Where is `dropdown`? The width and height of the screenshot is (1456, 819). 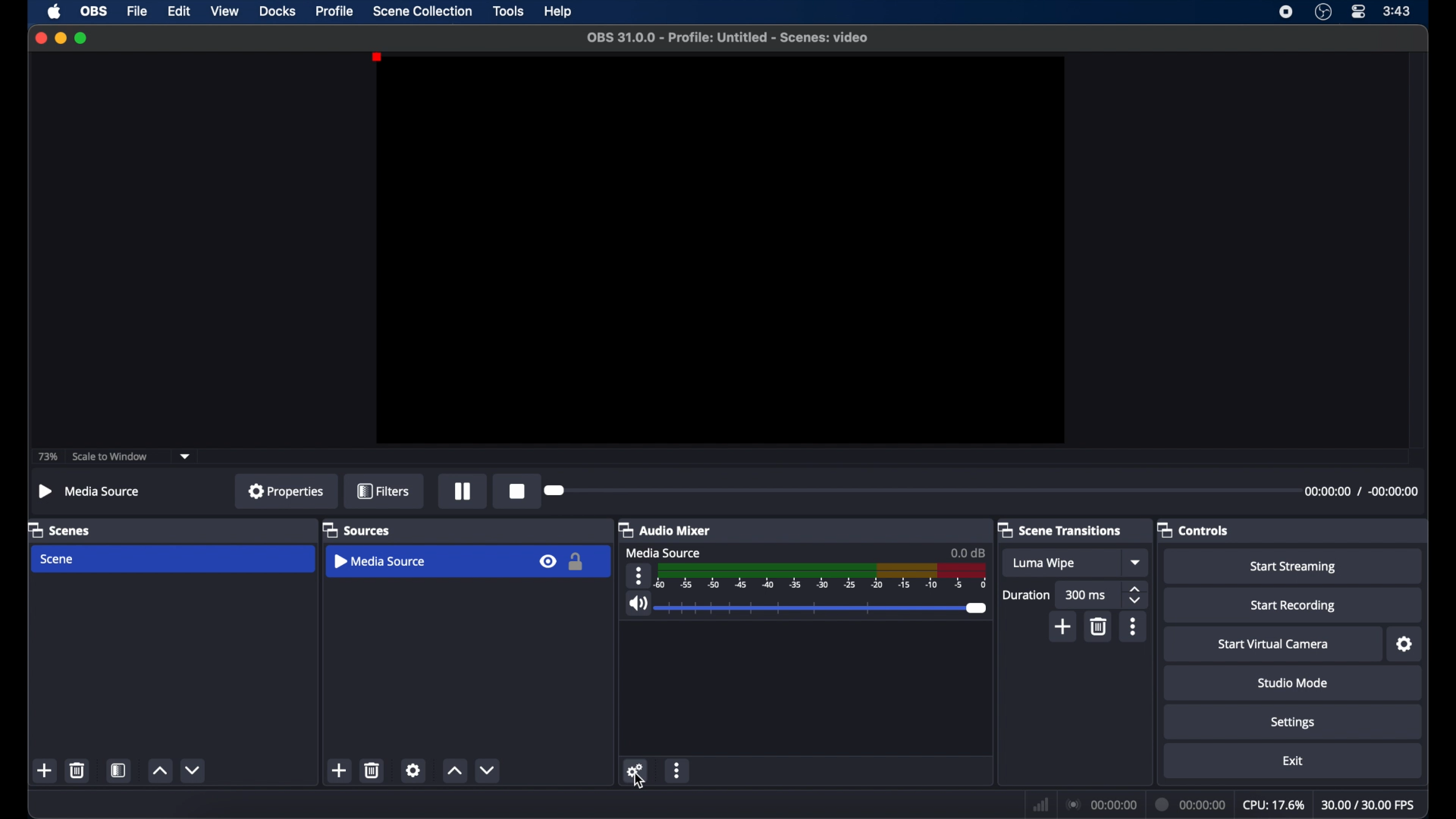 dropdown is located at coordinates (185, 457).